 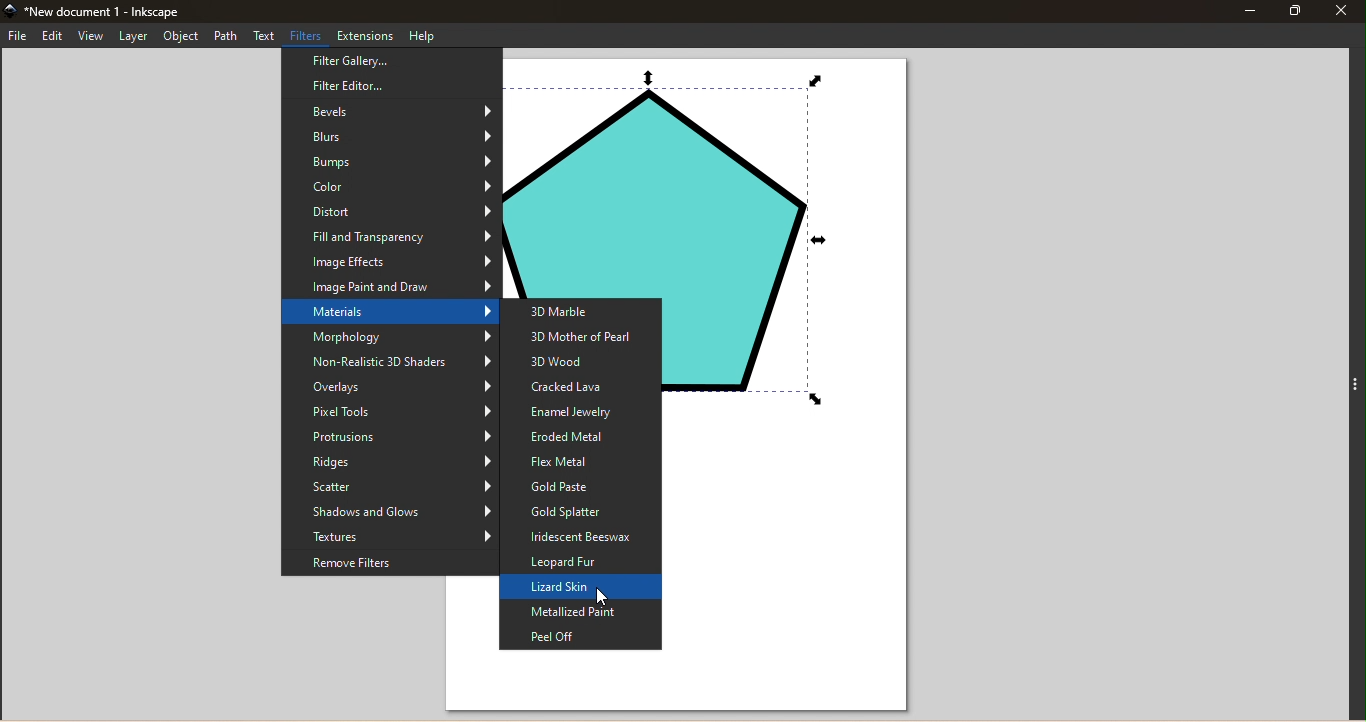 What do you see at coordinates (1295, 10) in the screenshot?
I see `Maximize` at bounding box center [1295, 10].